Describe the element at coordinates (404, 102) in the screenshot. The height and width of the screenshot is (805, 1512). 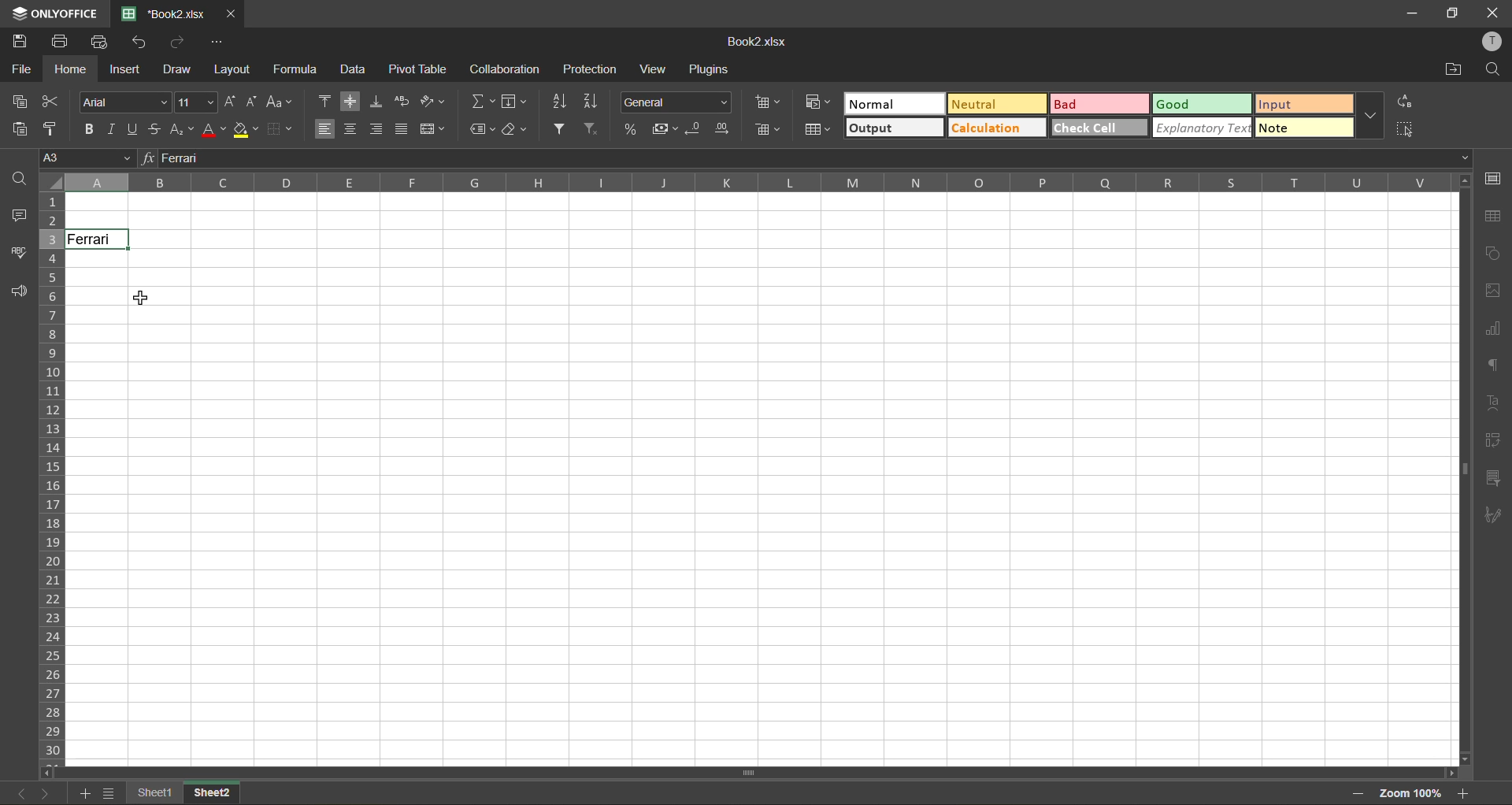
I see `wrap` at that location.